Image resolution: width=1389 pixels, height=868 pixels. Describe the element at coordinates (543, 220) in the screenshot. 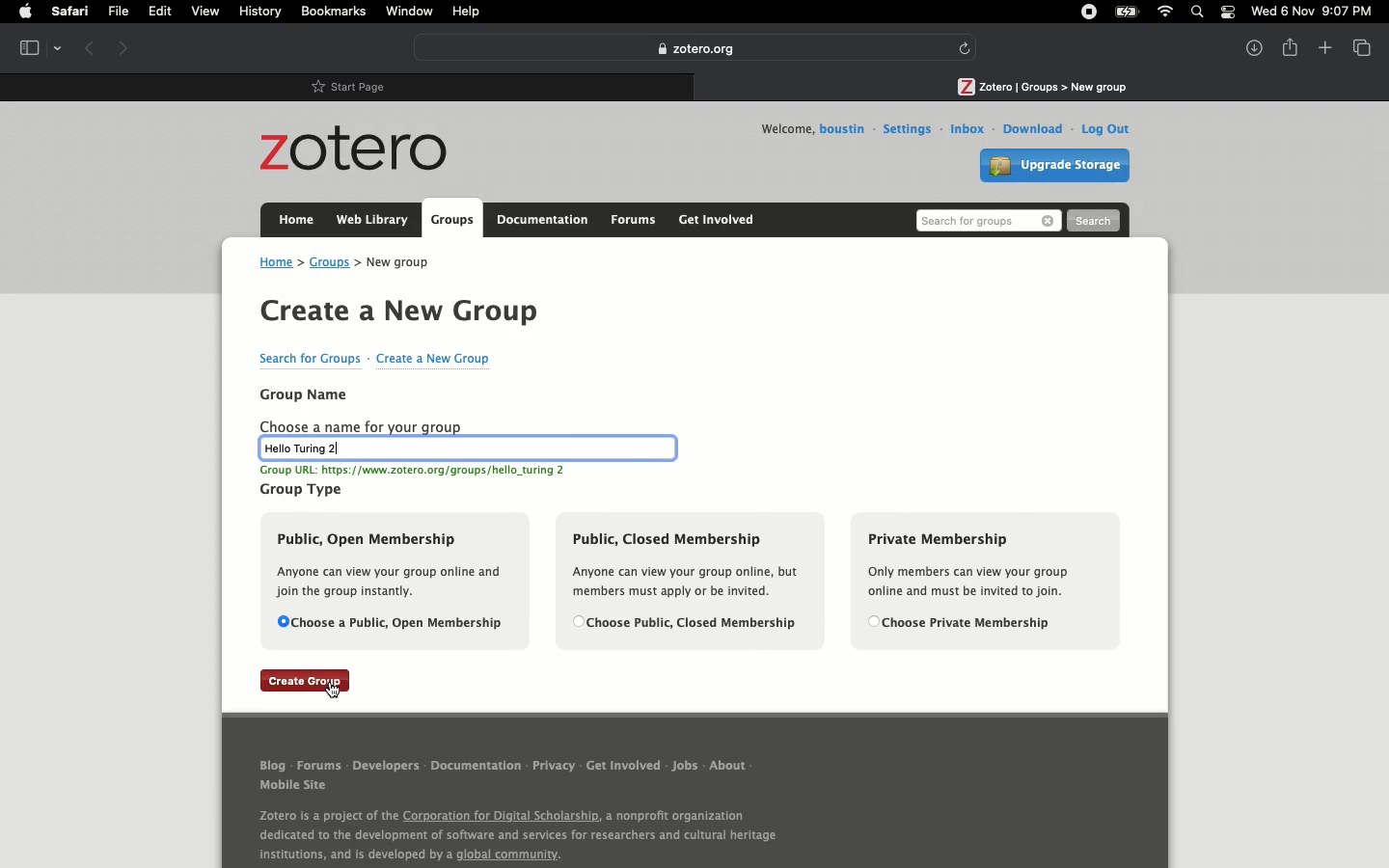

I see `Documentation` at that location.